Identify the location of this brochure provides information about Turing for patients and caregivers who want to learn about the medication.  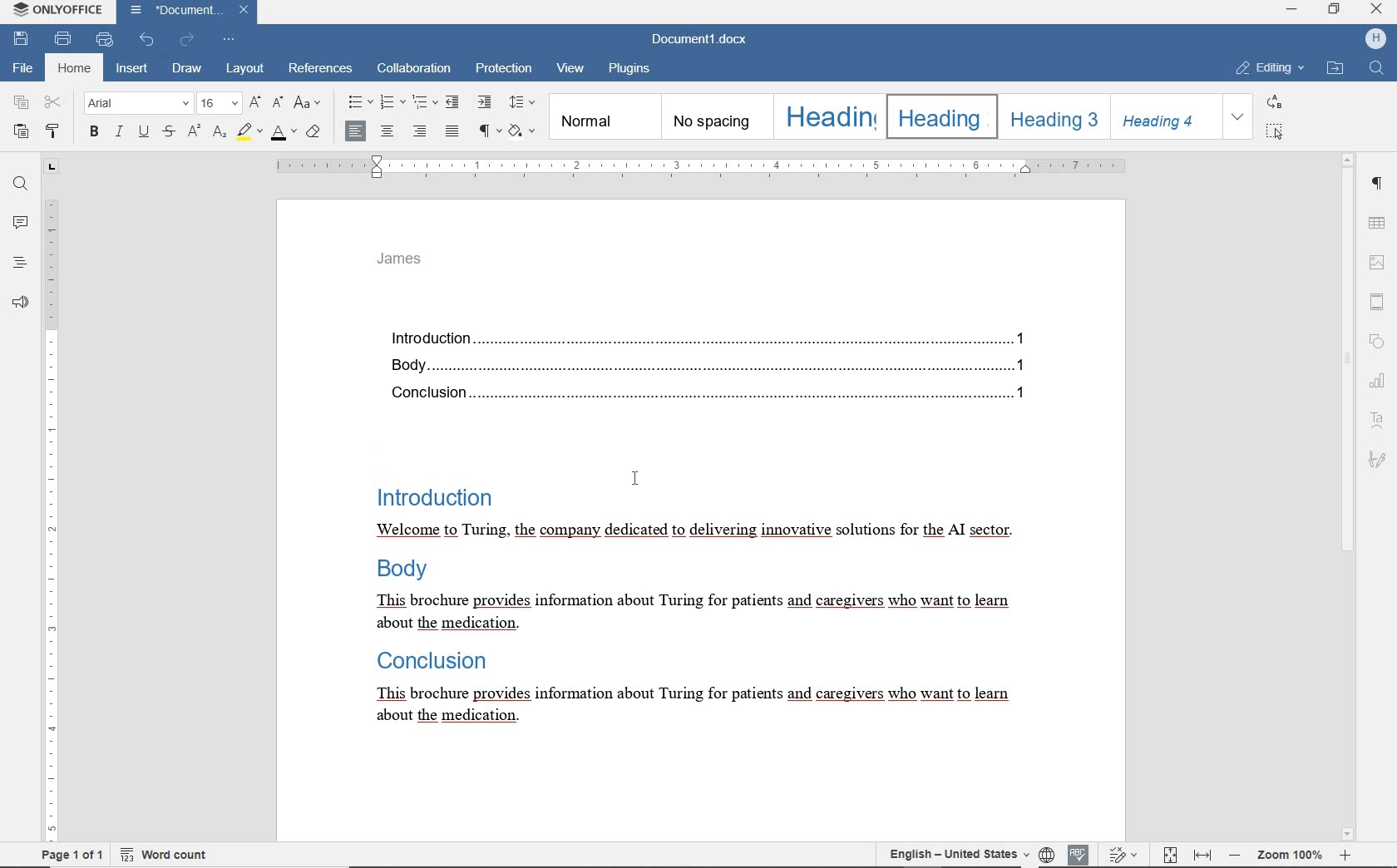
(707, 707).